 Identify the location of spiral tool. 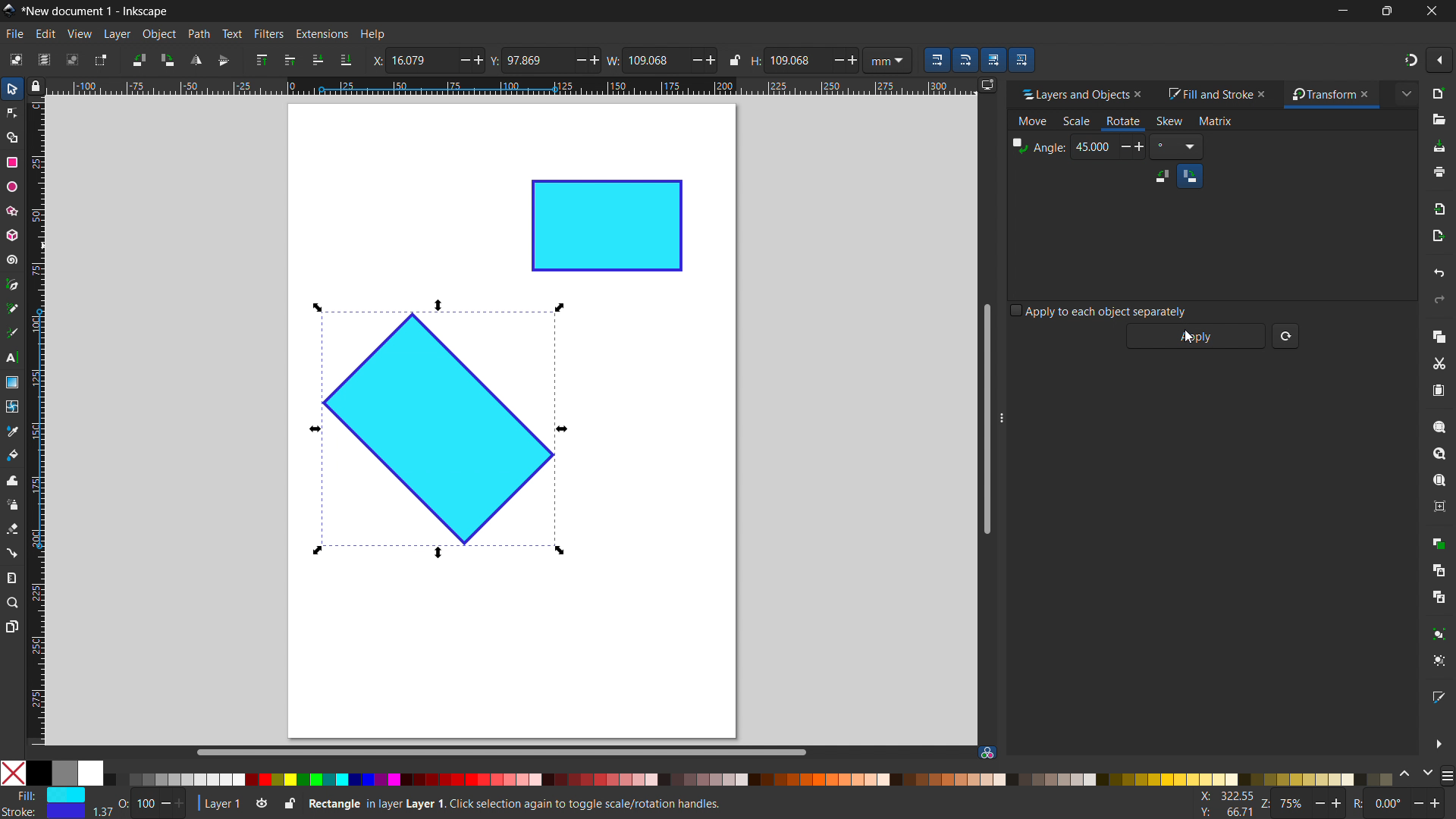
(11, 259).